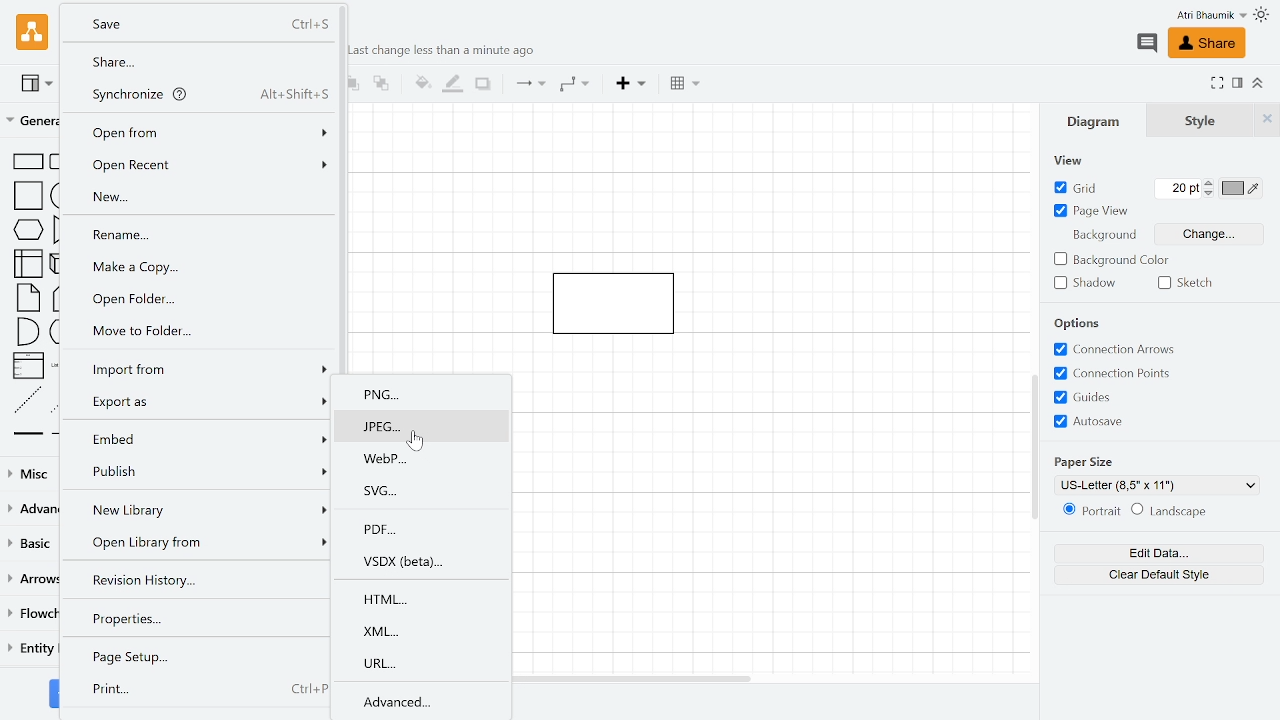 Image resolution: width=1280 pixels, height=720 pixels. Describe the element at coordinates (1083, 460) in the screenshot. I see `Paper Size` at that location.